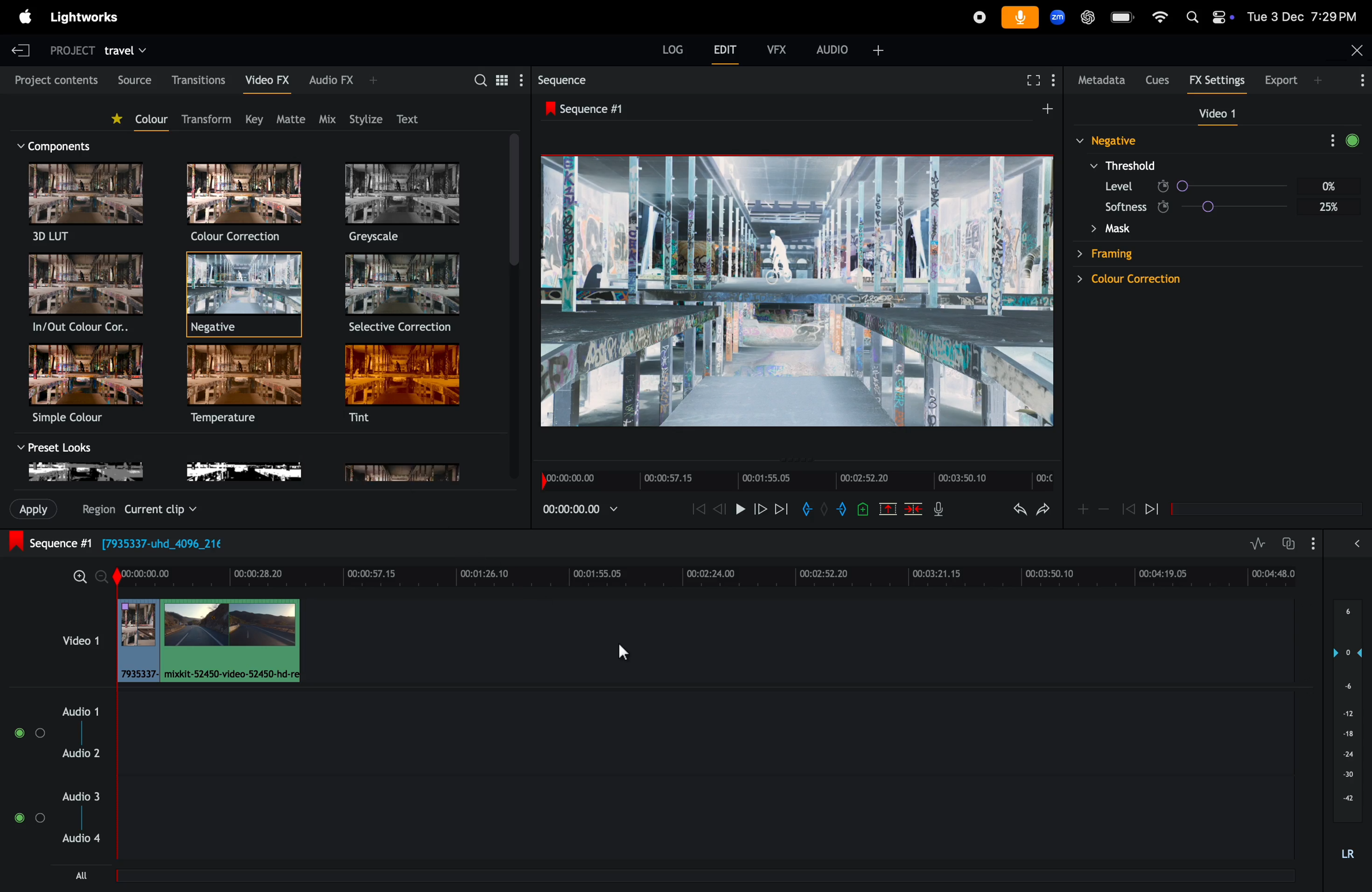 Image resolution: width=1372 pixels, height=892 pixels. I want to click on , so click(1113, 229).